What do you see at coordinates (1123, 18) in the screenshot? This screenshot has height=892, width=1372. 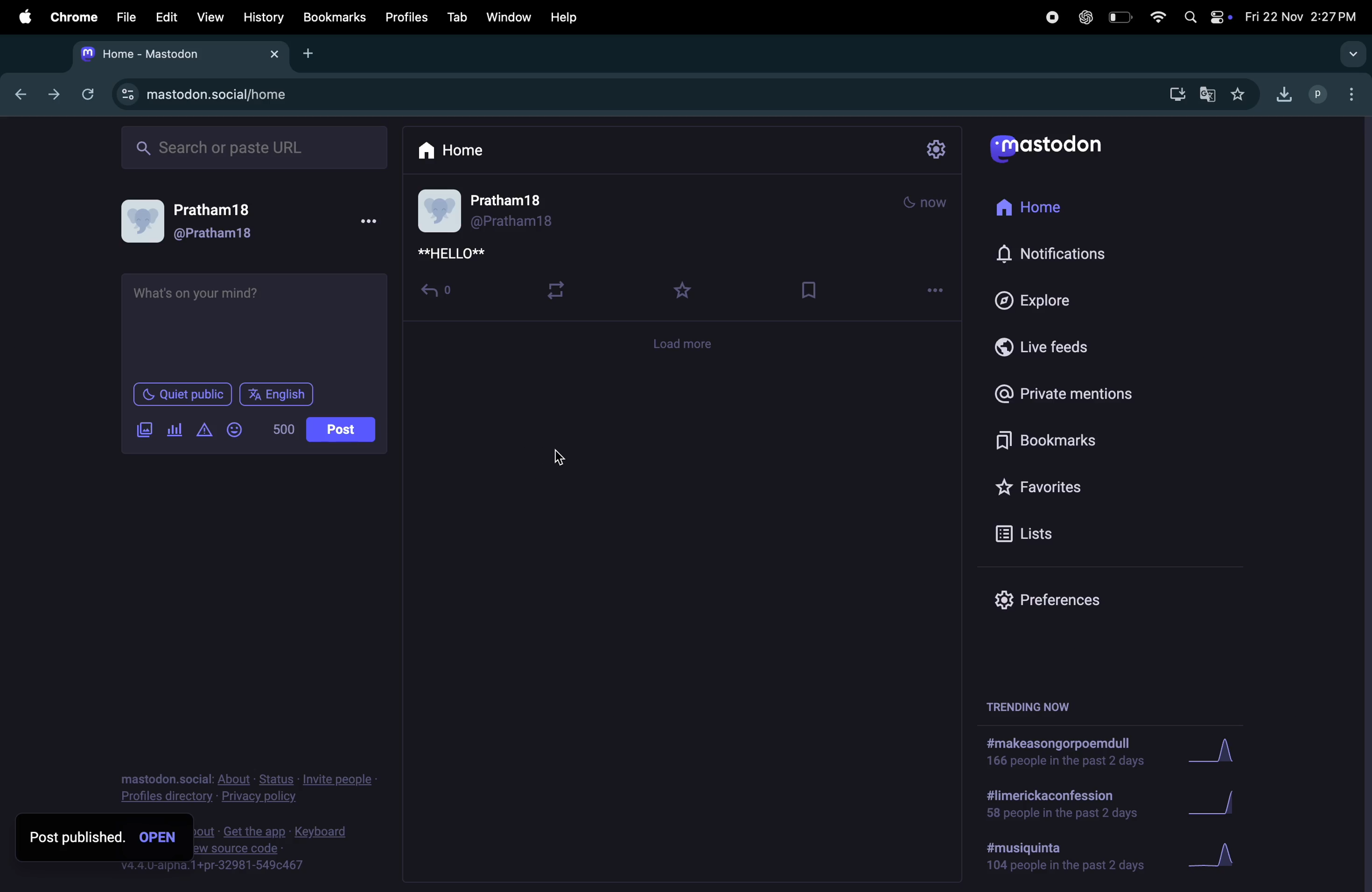 I see `battery` at bounding box center [1123, 18].